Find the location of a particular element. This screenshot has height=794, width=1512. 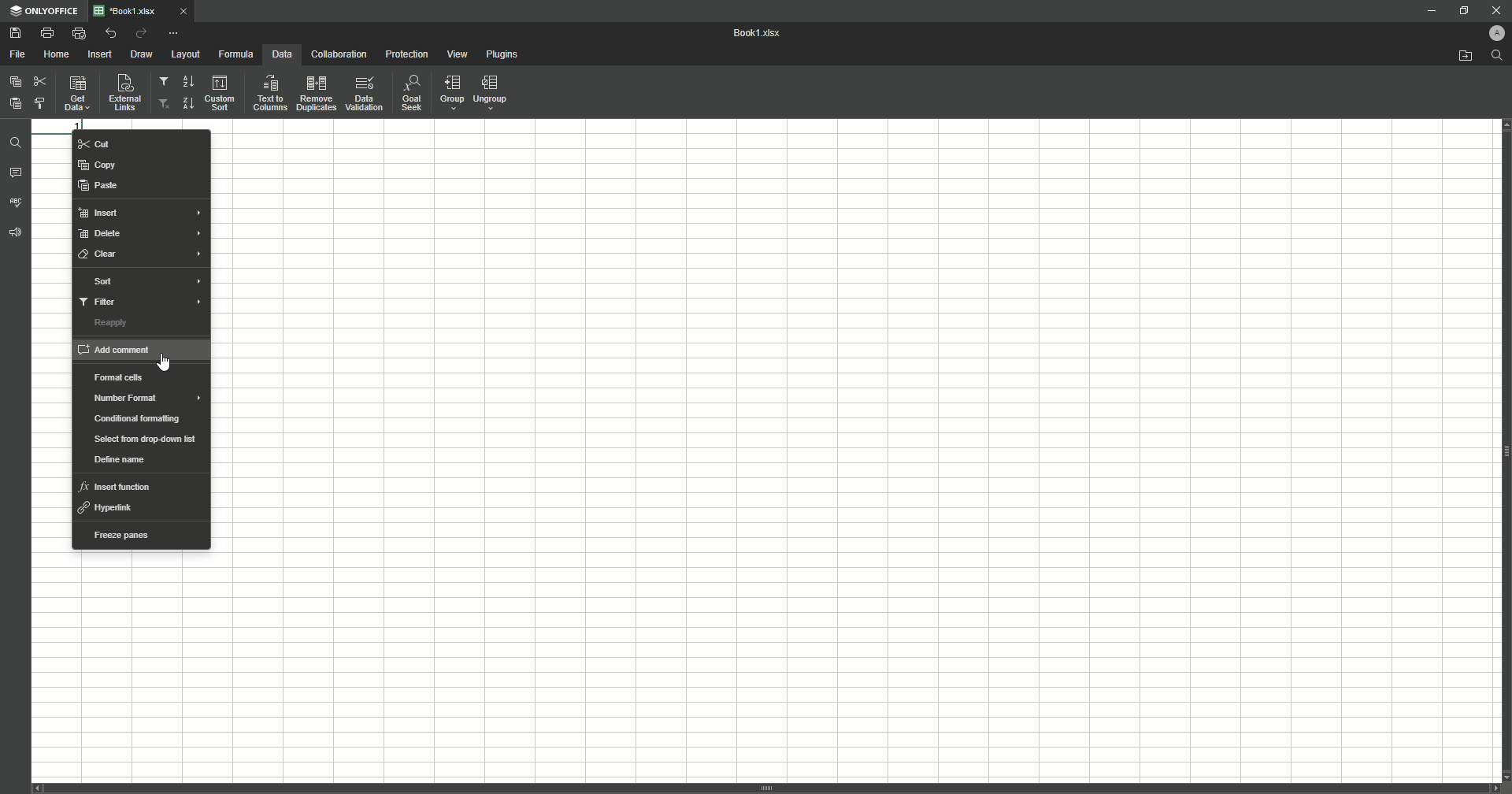

Print is located at coordinates (46, 33).